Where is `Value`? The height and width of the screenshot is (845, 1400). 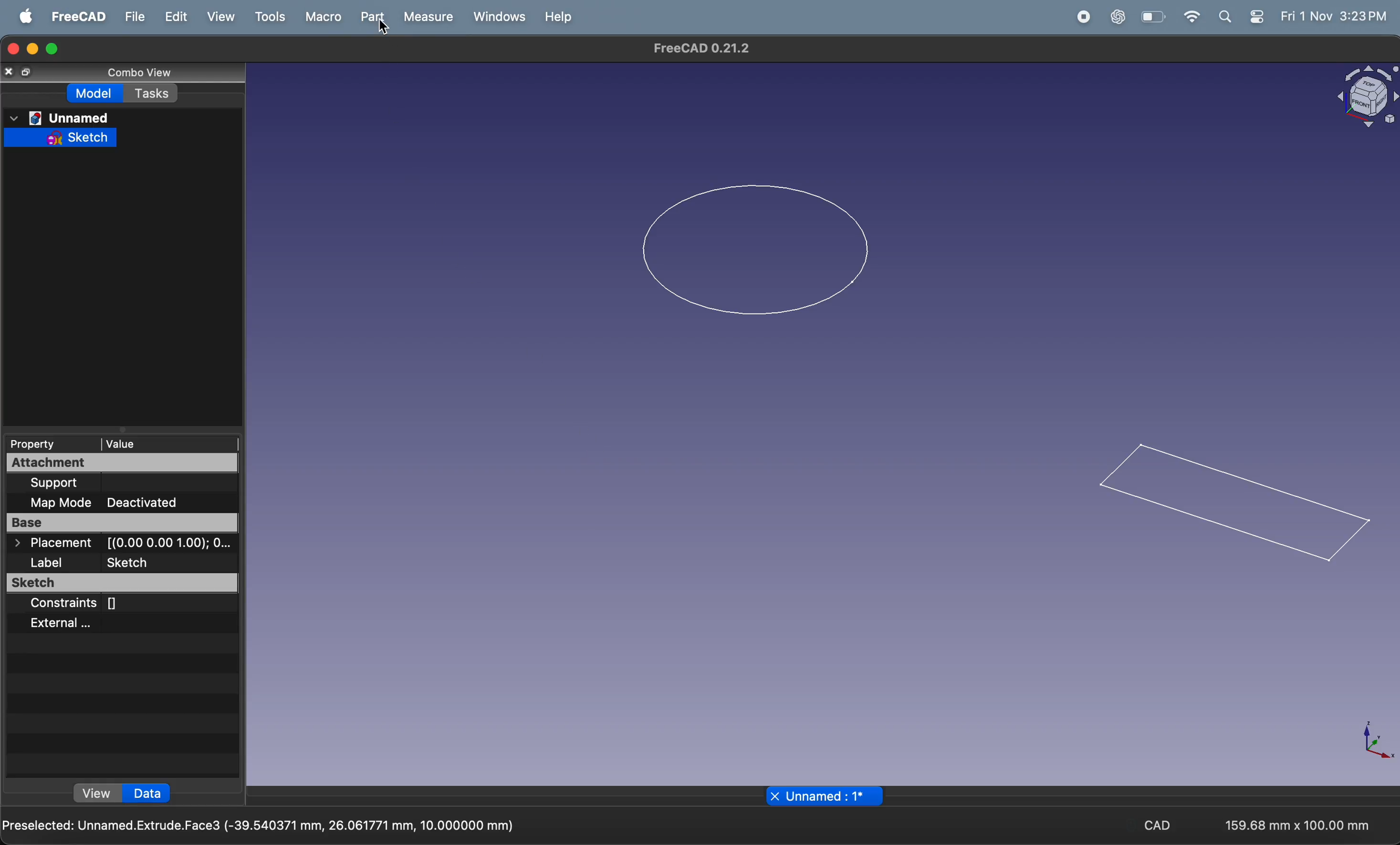 Value is located at coordinates (161, 445).